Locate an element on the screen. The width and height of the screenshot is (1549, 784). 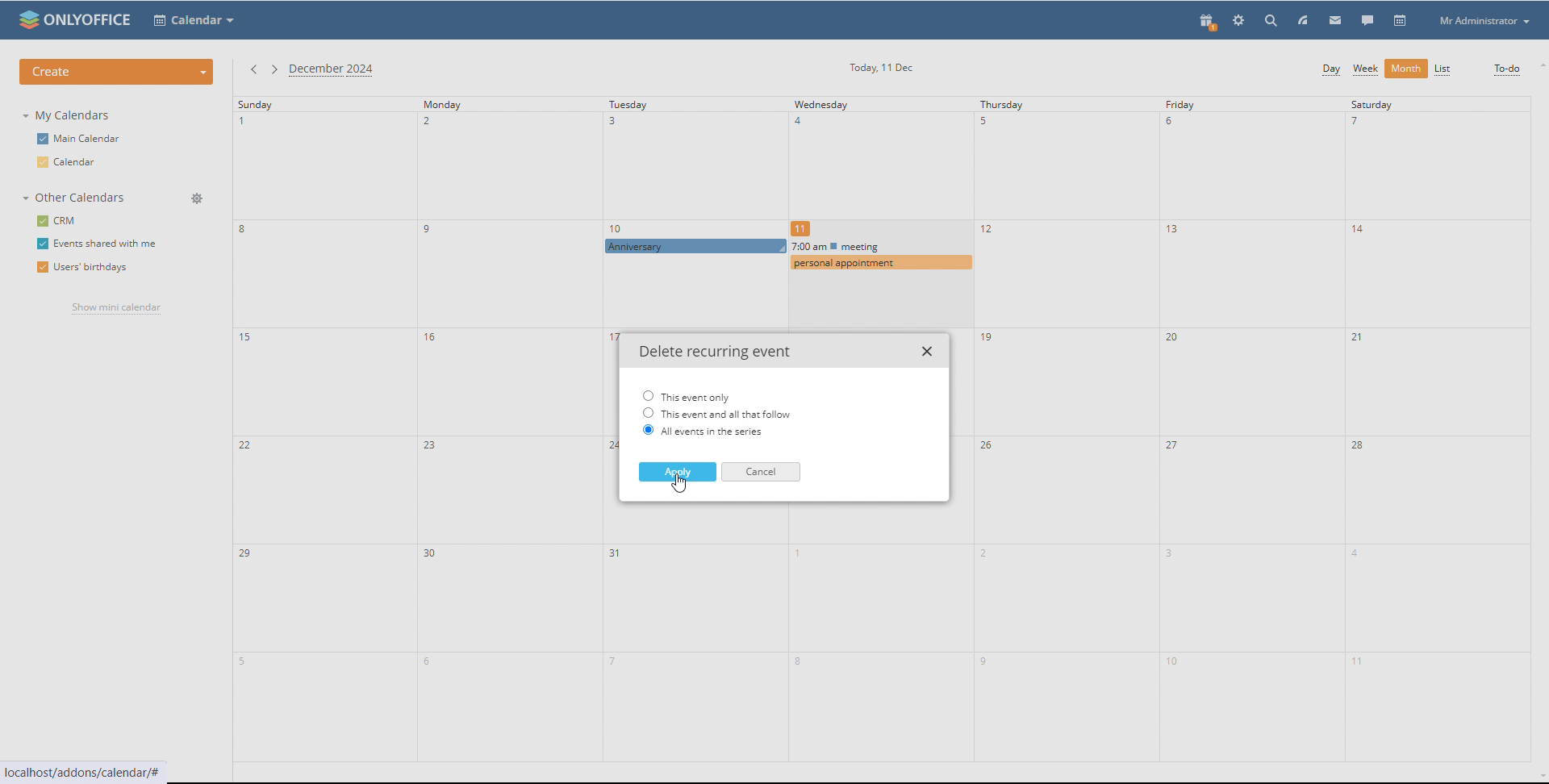
my calendars is located at coordinates (69, 115).